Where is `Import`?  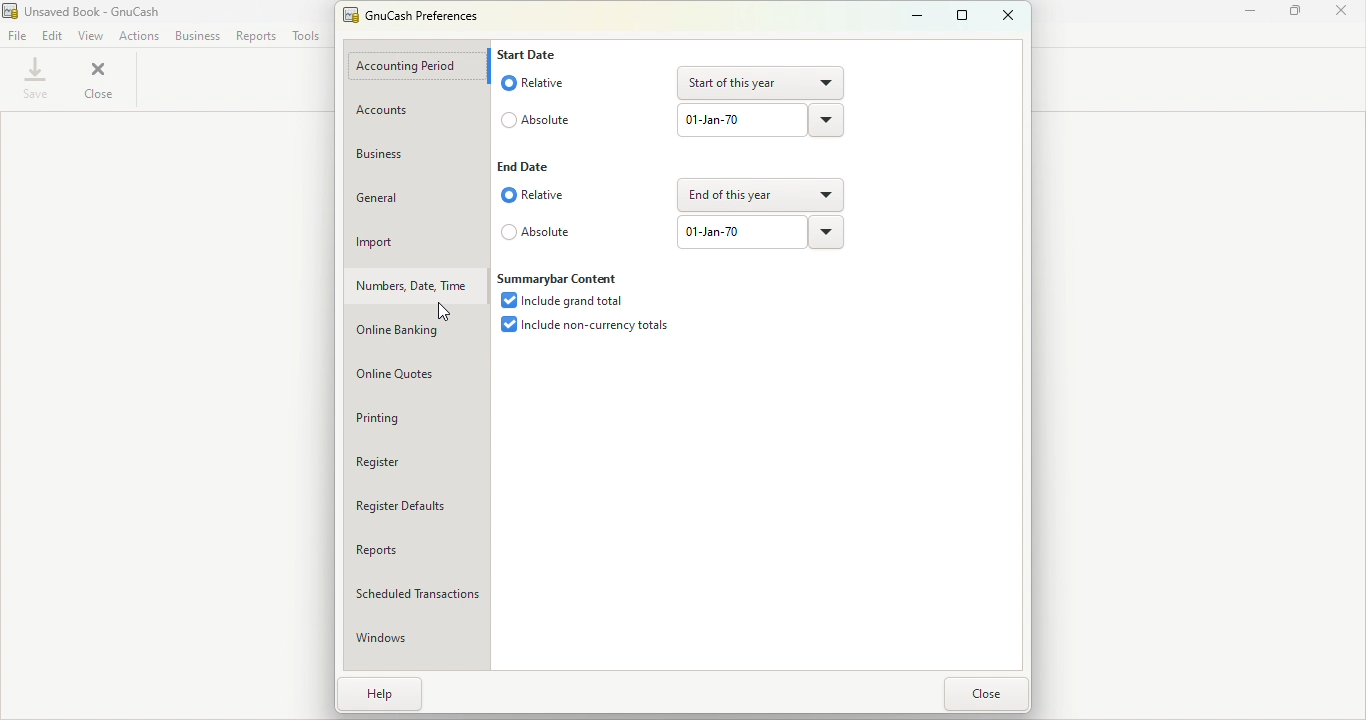
Import is located at coordinates (402, 241).